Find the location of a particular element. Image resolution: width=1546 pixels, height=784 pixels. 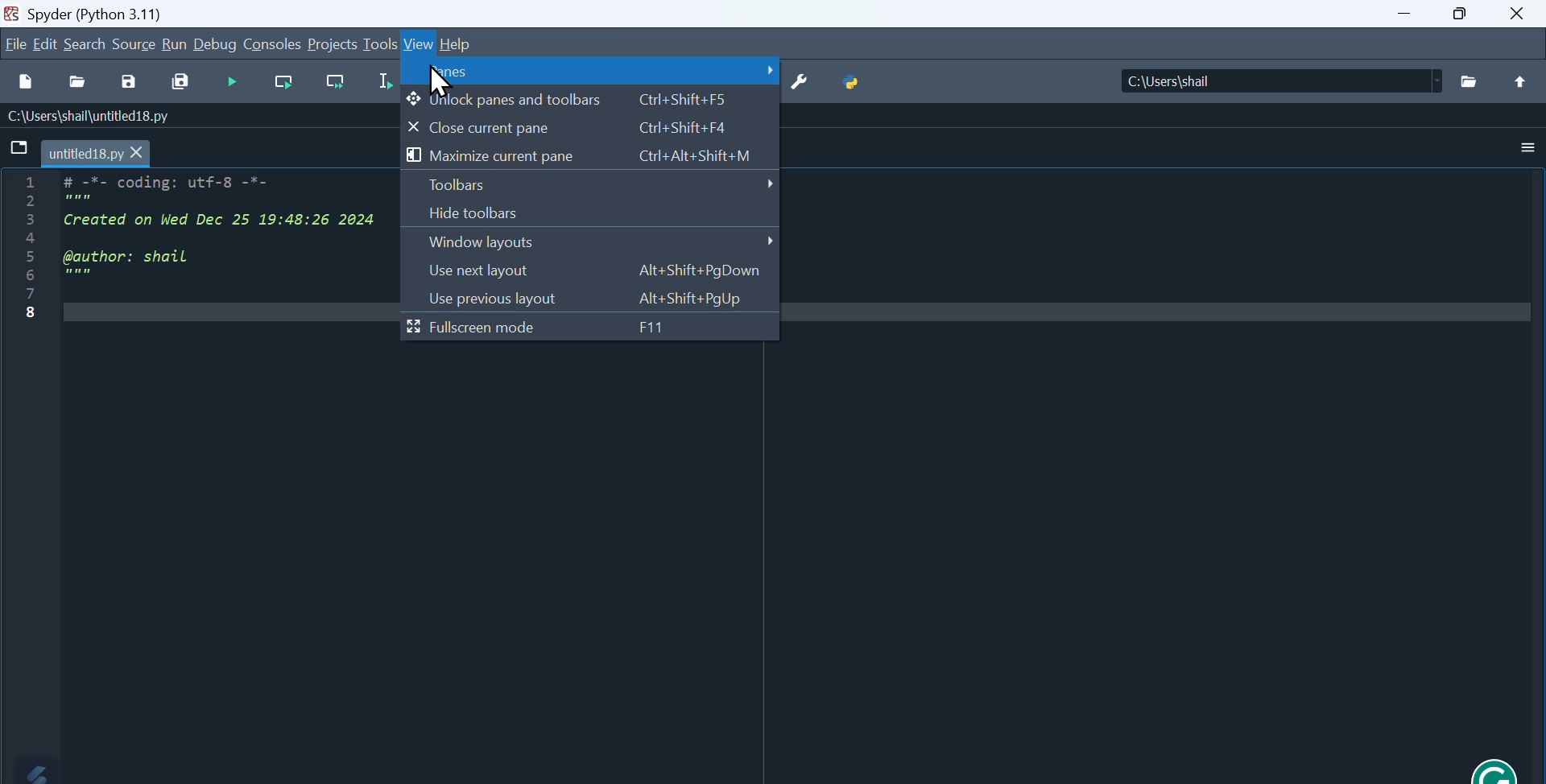

Save all is located at coordinates (182, 80).